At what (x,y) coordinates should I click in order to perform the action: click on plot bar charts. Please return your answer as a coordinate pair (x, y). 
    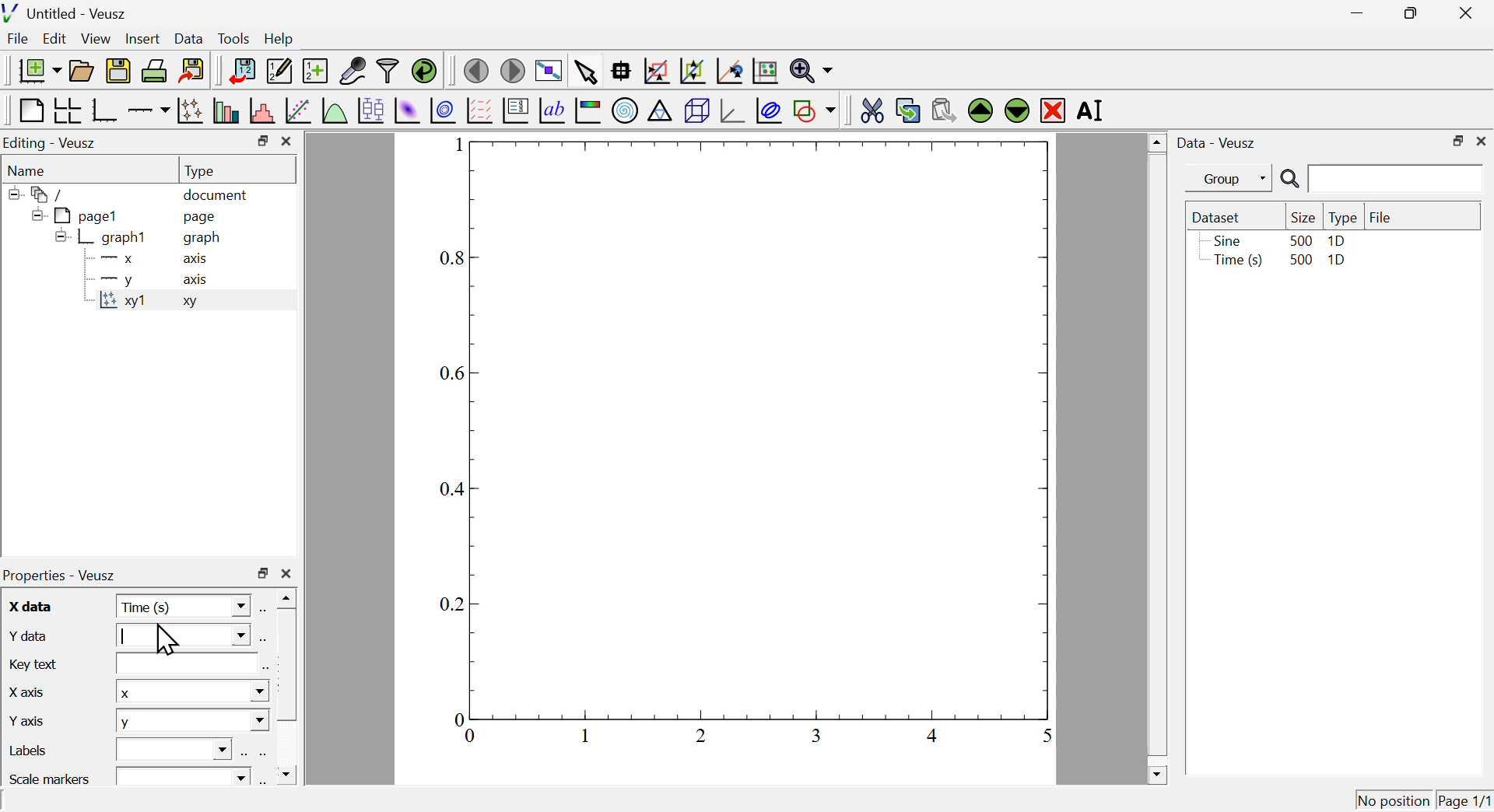
    Looking at the image, I should click on (226, 112).